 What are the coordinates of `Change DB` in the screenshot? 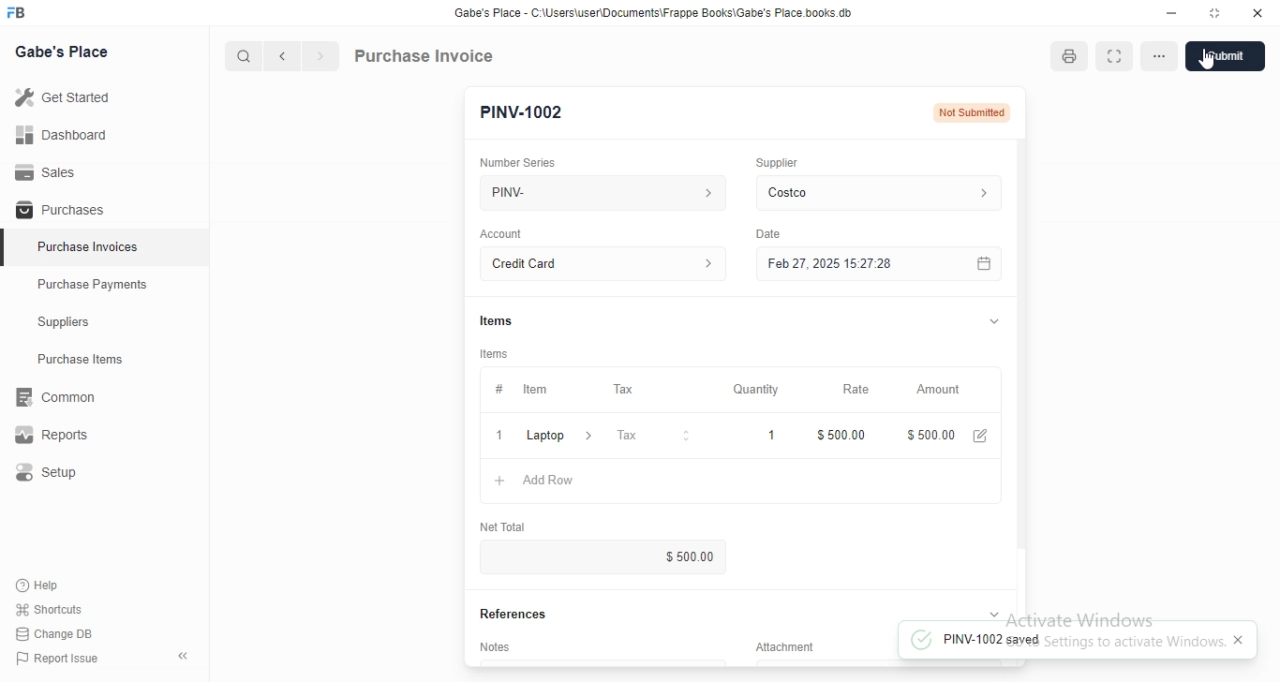 It's located at (54, 634).